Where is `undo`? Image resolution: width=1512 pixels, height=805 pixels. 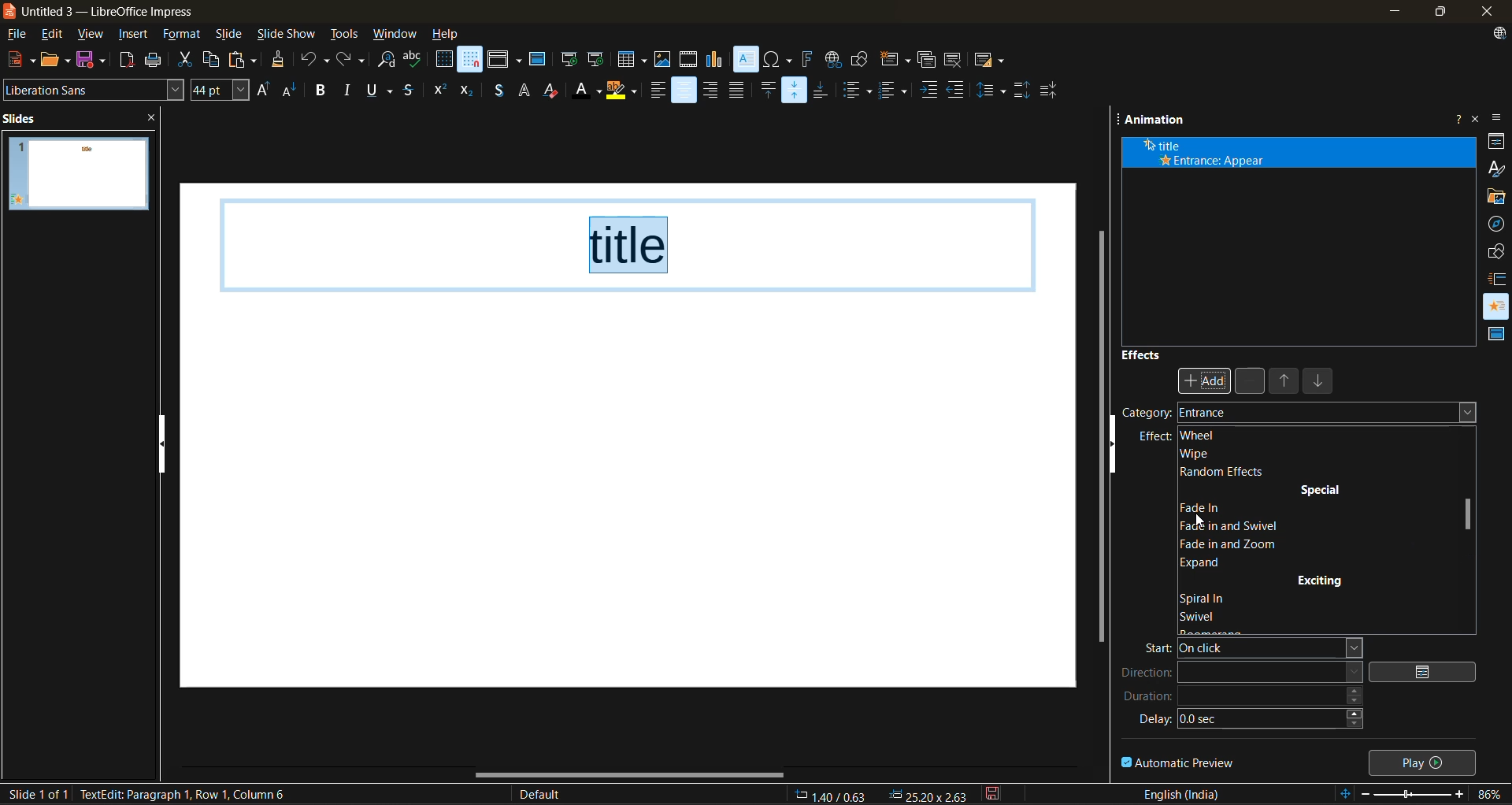
undo is located at coordinates (313, 61).